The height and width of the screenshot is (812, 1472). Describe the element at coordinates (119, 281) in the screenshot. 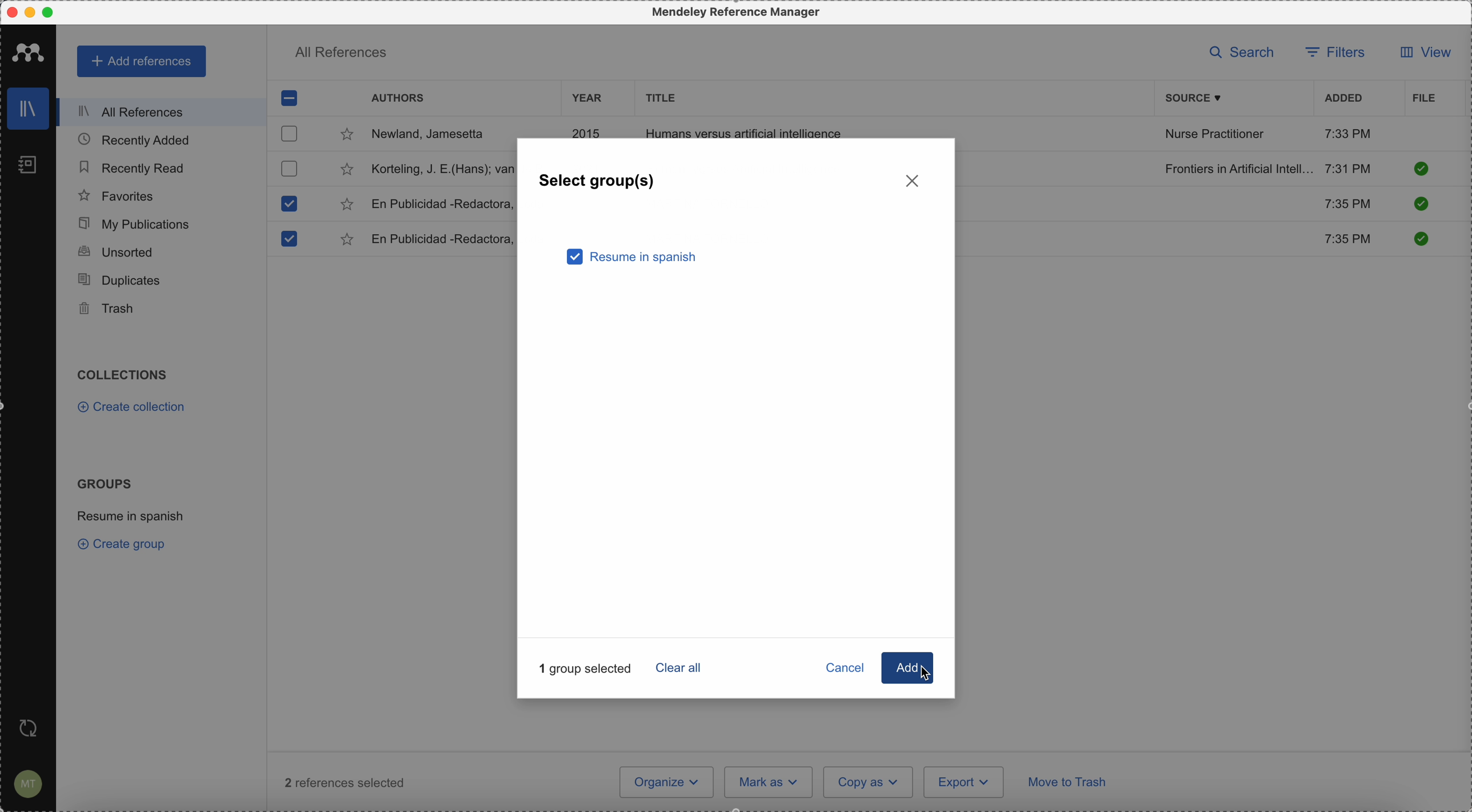

I see `duplicates` at that location.